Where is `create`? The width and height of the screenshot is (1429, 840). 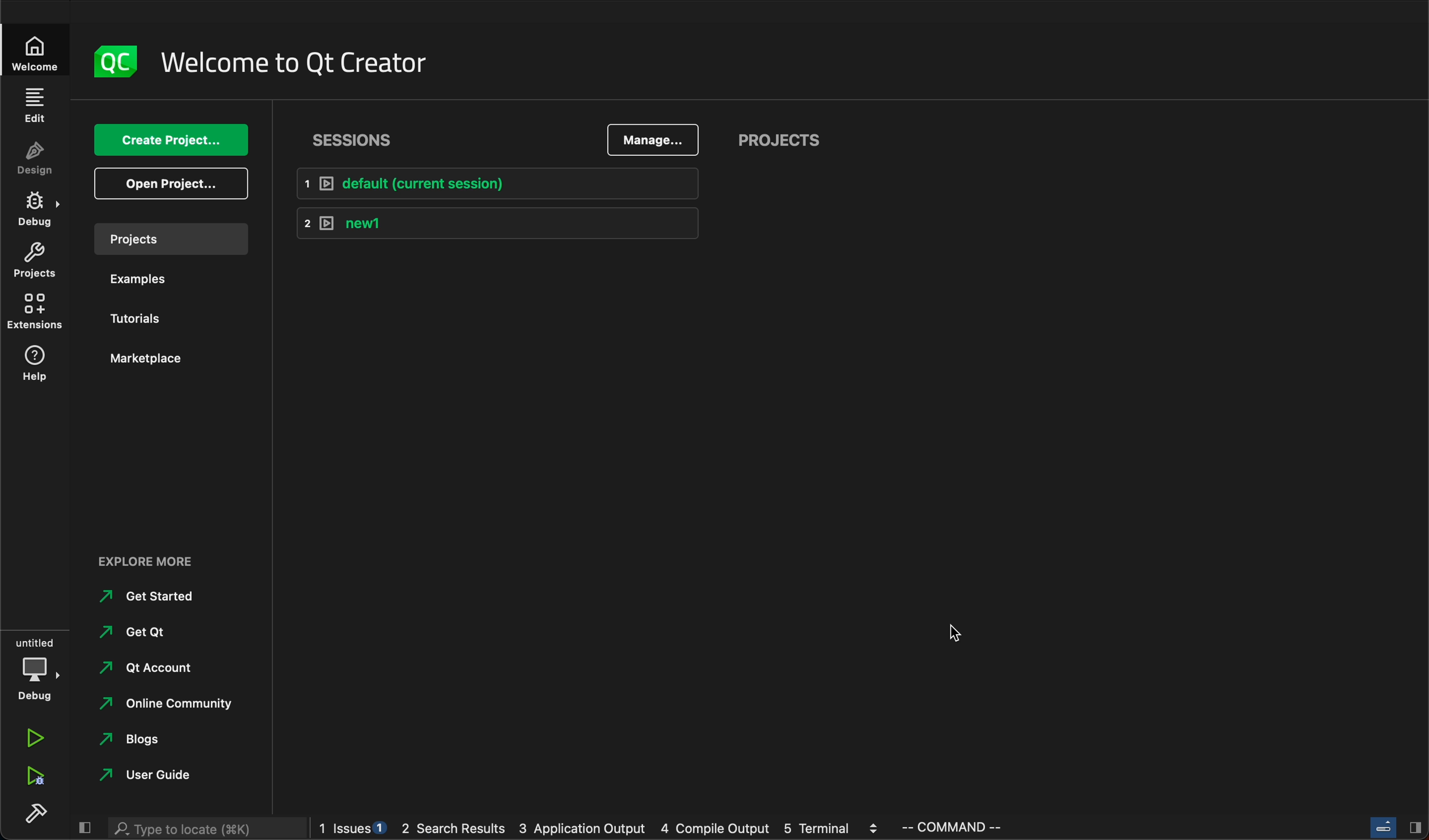
create is located at coordinates (173, 140).